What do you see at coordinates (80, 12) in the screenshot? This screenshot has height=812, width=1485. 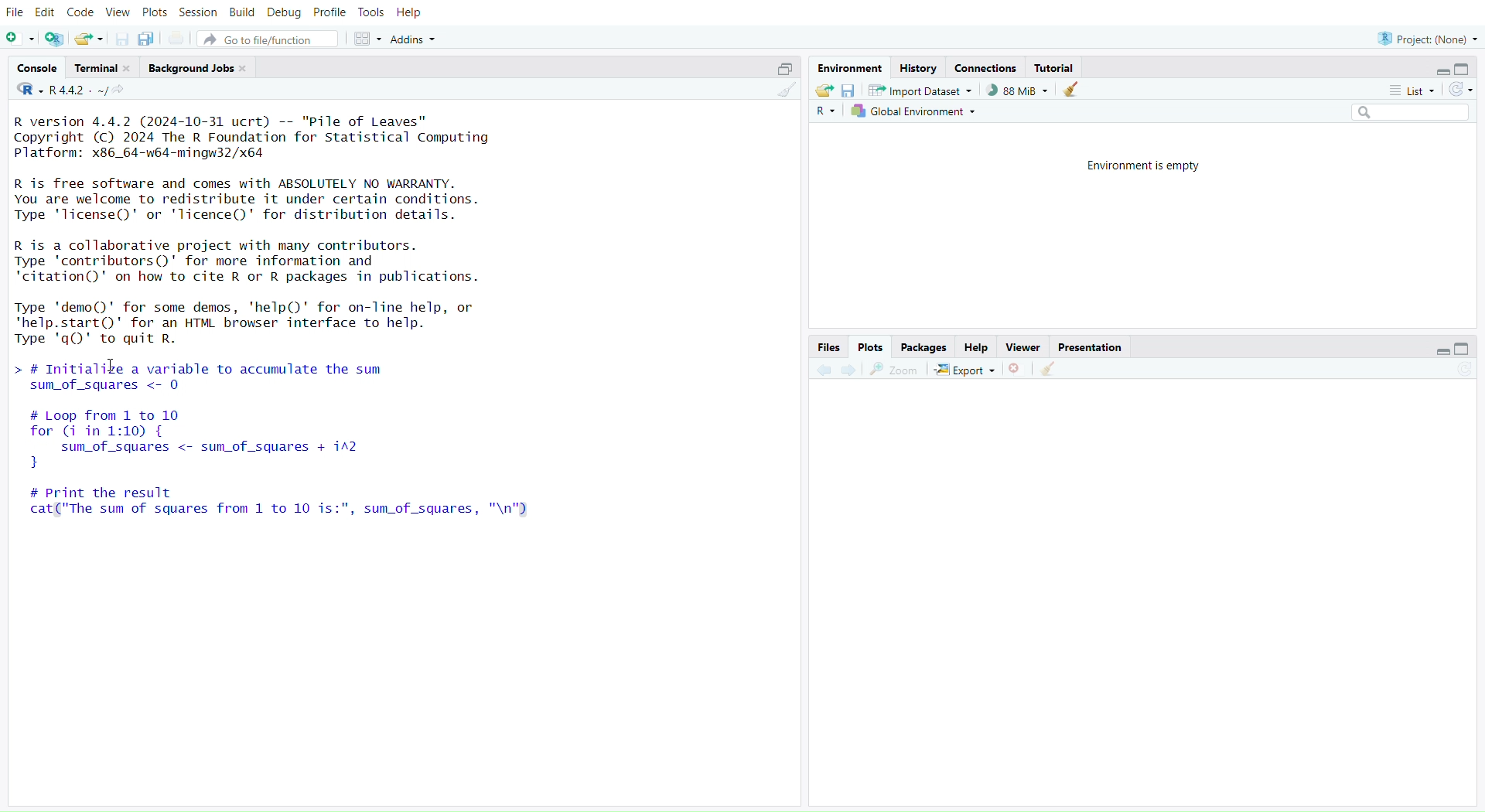 I see `code` at bounding box center [80, 12].